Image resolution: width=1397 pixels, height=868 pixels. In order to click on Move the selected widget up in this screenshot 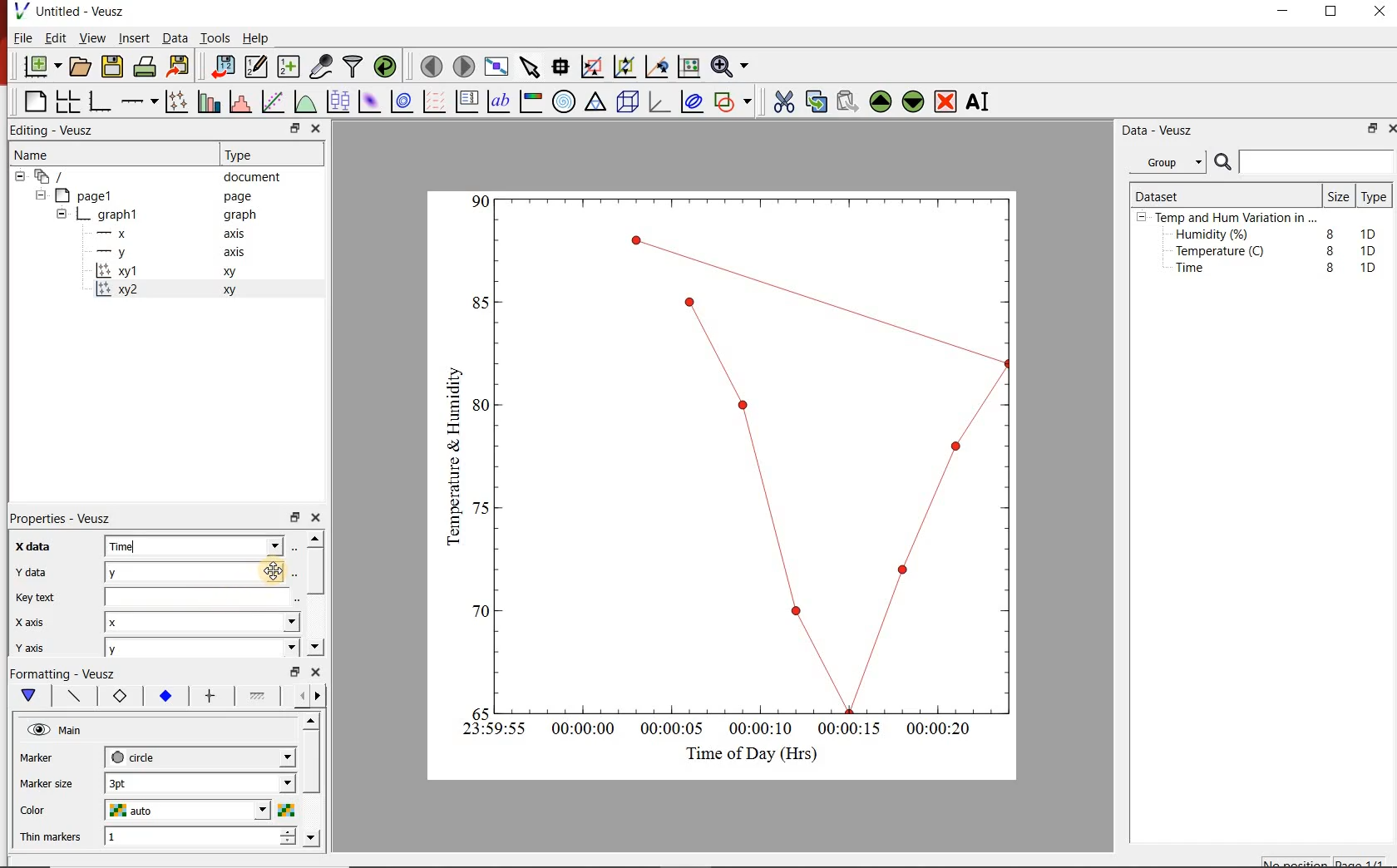, I will do `click(881, 100)`.